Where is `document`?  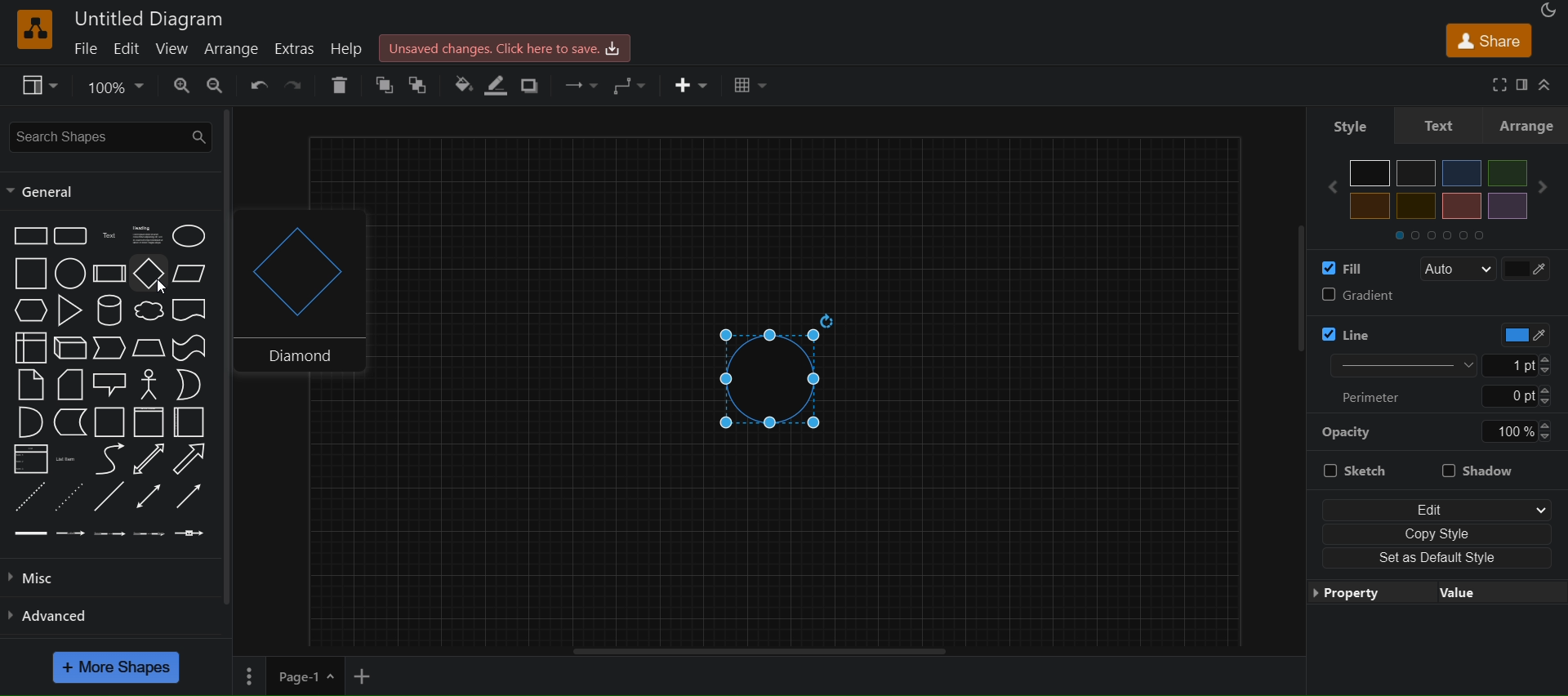 document is located at coordinates (192, 313).